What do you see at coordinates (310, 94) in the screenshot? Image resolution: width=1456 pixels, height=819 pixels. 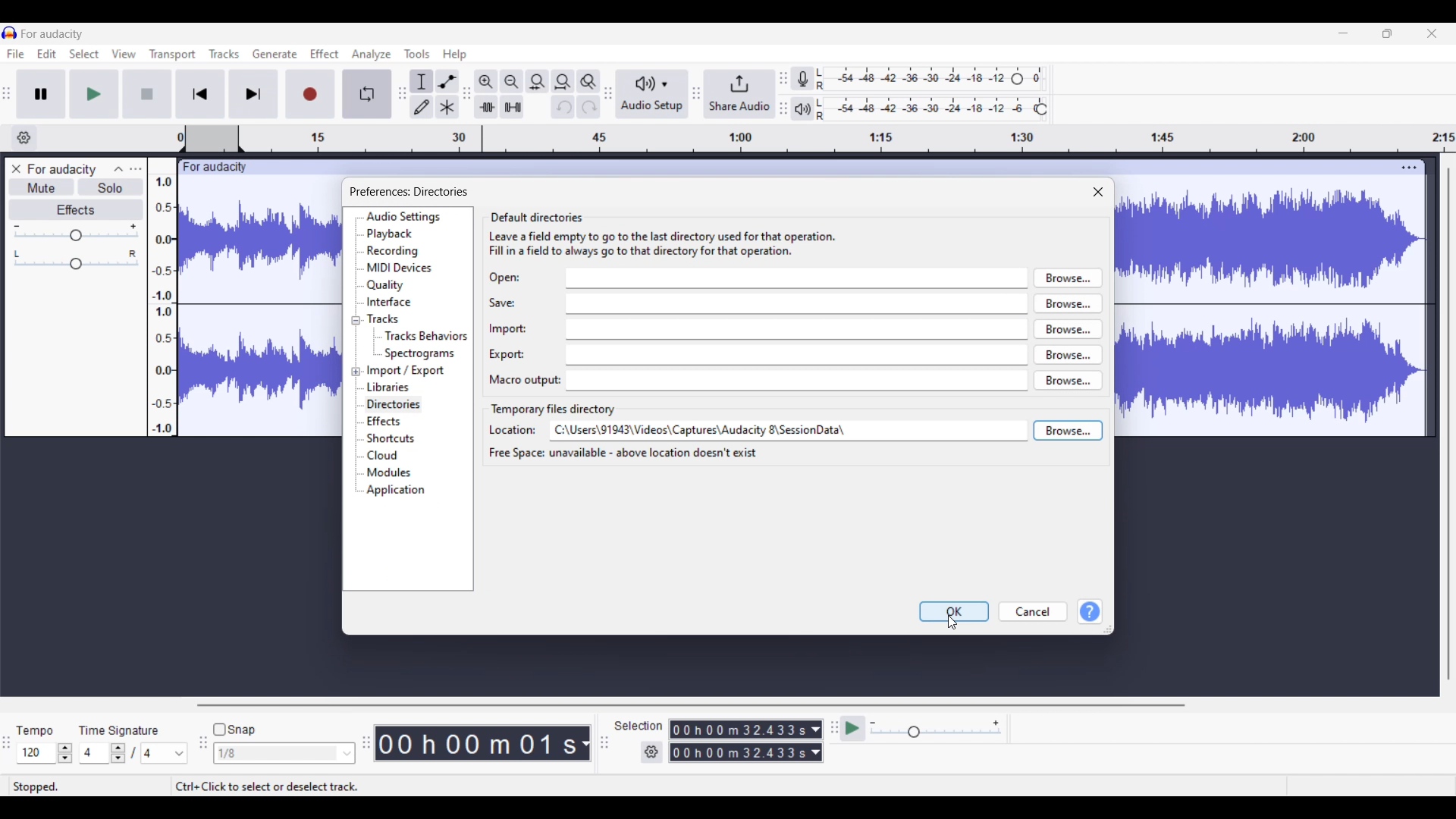 I see `Record/Record new track` at bounding box center [310, 94].